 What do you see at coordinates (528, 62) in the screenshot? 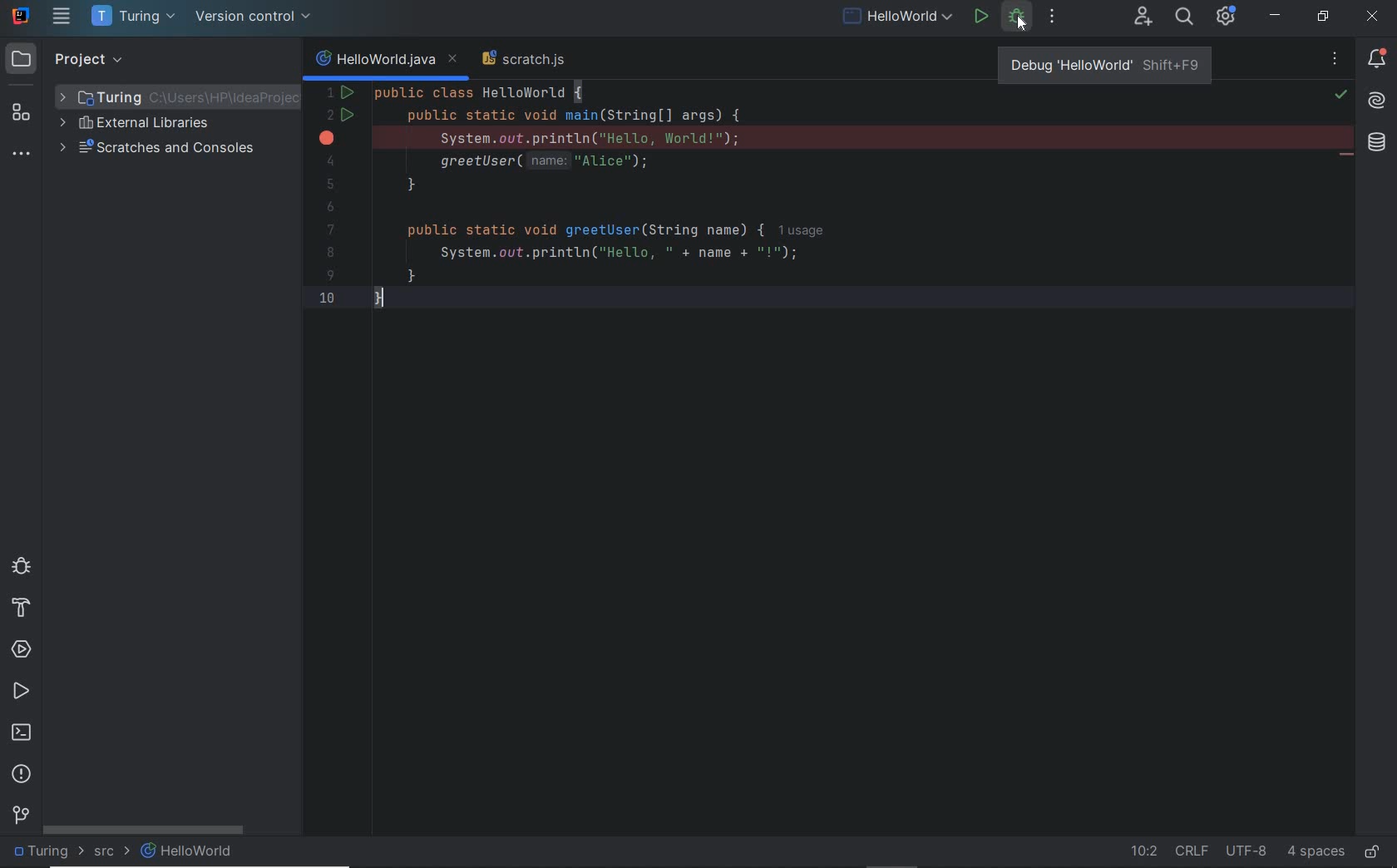
I see `scratch file` at bounding box center [528, 62].